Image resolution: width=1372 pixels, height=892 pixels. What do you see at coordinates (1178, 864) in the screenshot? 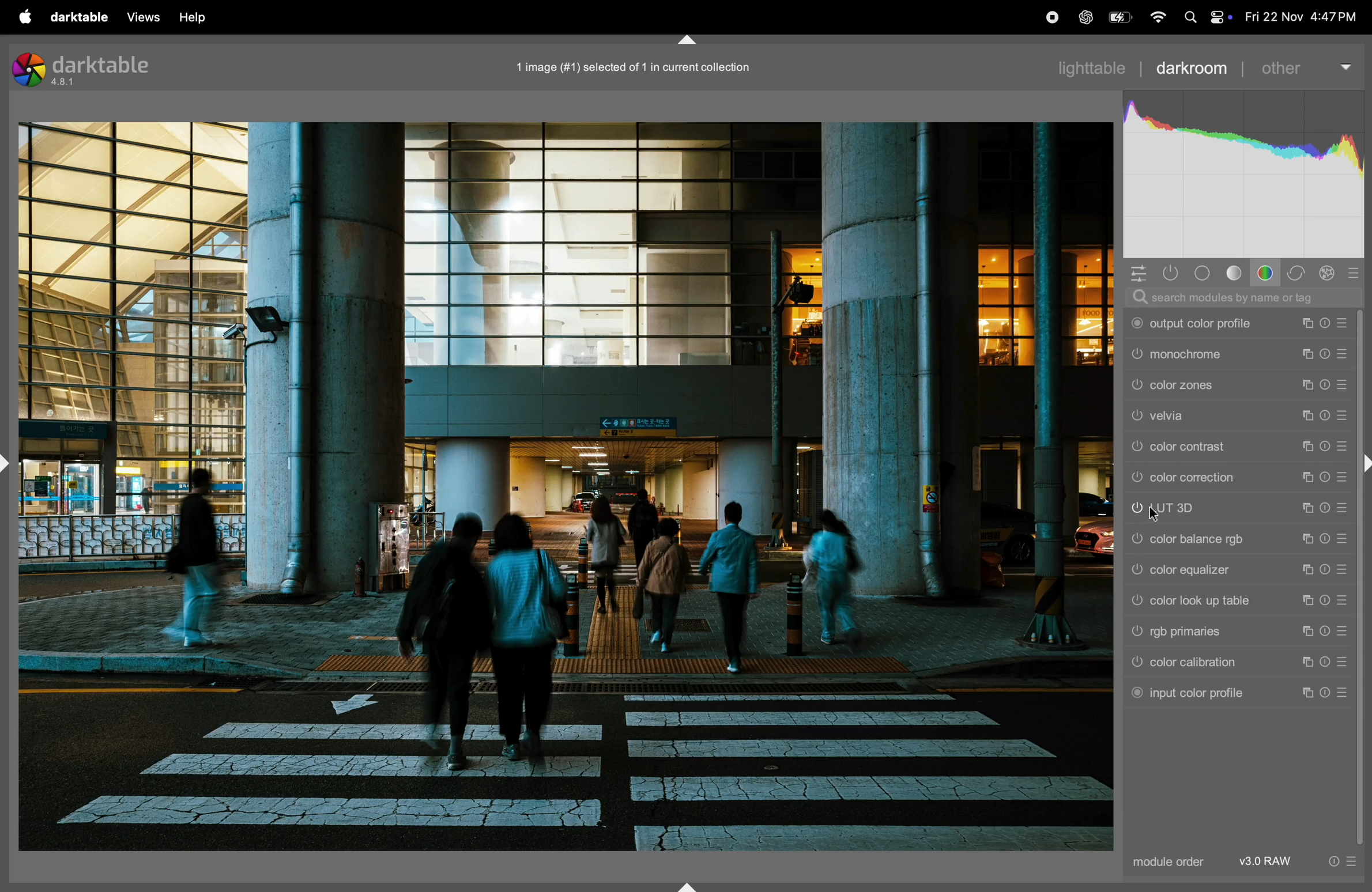
I see `module order` at bounding box center [1178, 864].